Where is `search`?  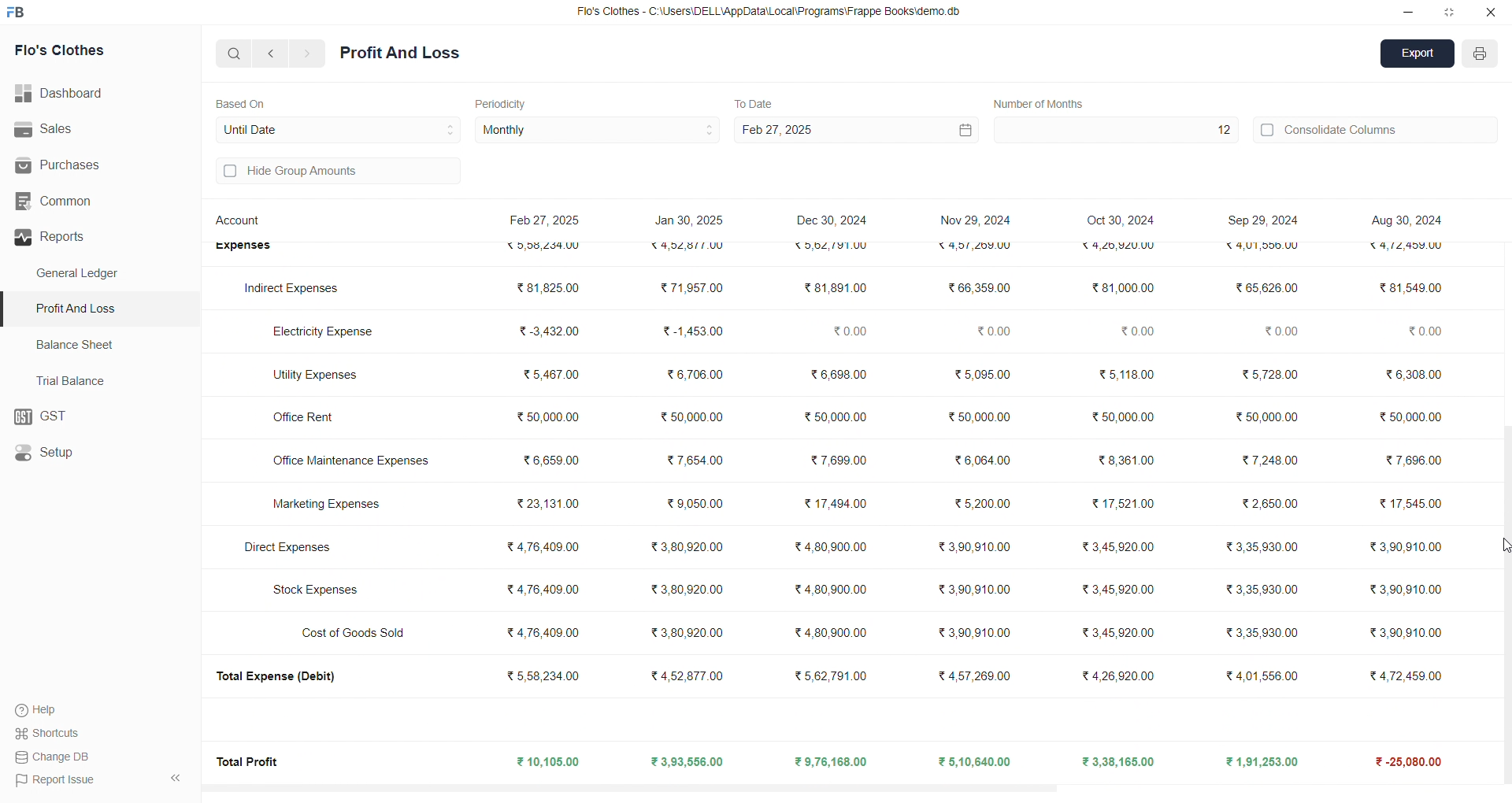
search is located at coordinates (235, 53).